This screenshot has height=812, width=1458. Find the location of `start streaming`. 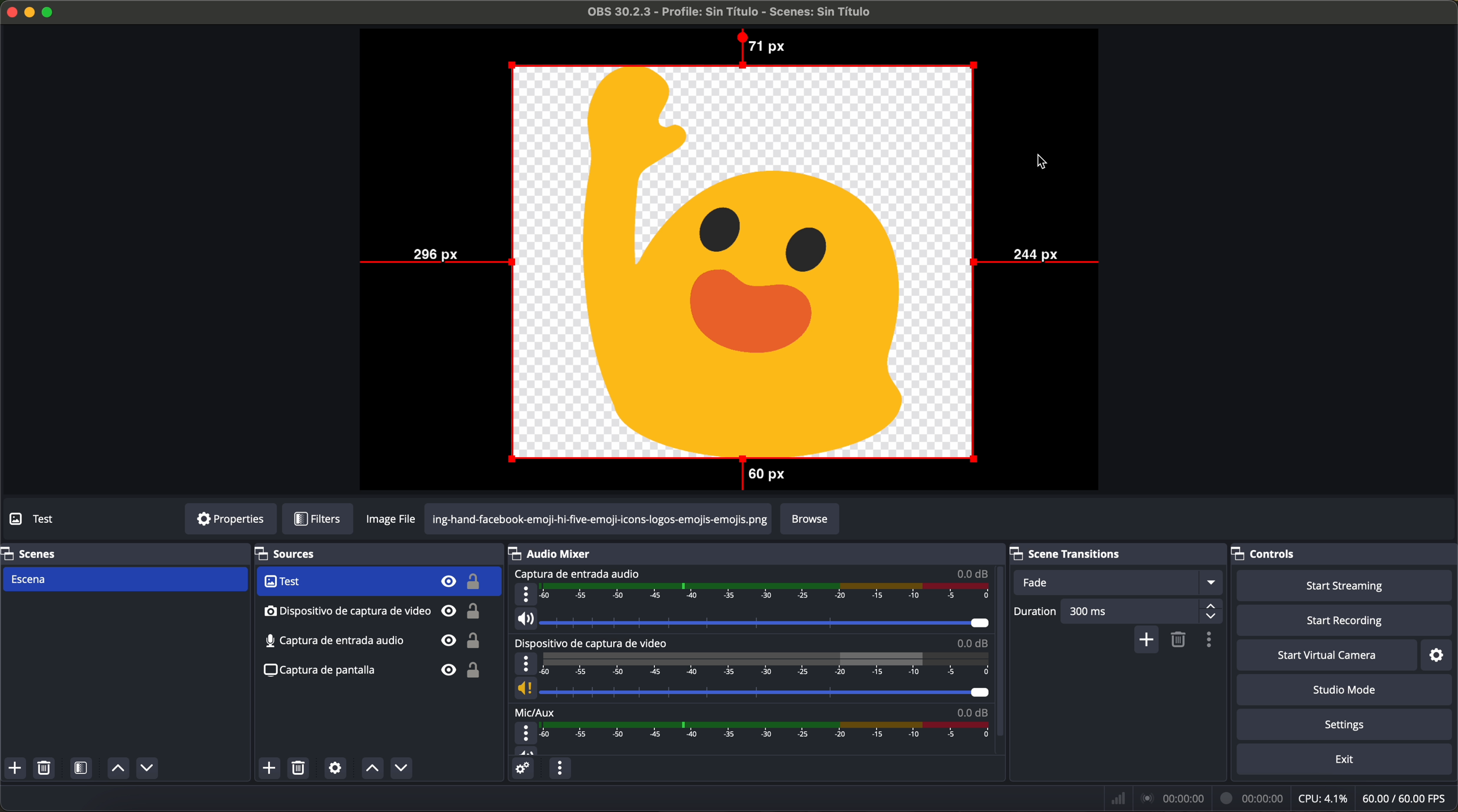

start streaming is located at coordinates (1340, 585).